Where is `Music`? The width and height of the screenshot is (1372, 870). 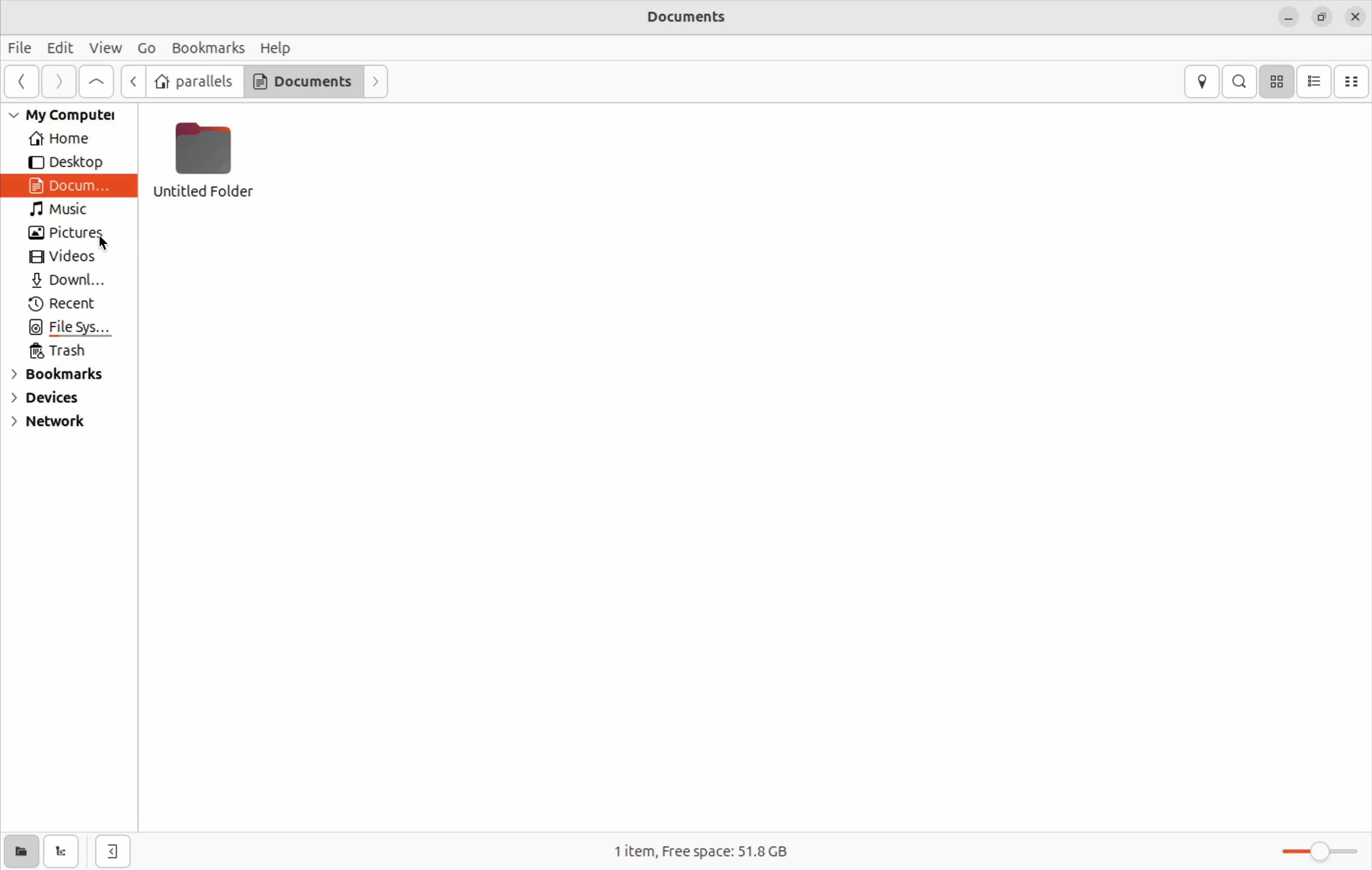 Music is located at coordinates (66, 210).